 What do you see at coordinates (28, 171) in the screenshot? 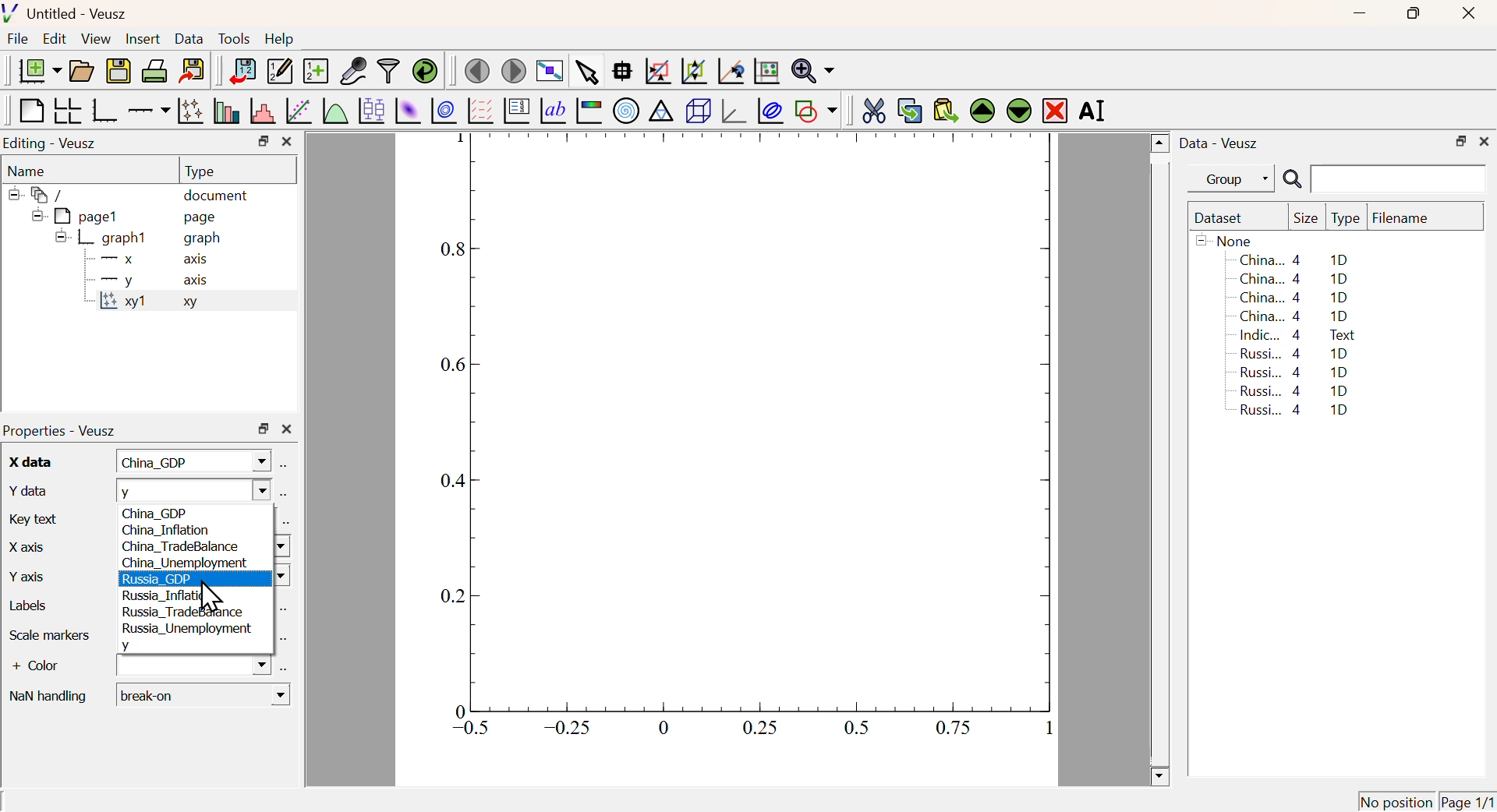
I see `Name` at bounding box center [28, 171].